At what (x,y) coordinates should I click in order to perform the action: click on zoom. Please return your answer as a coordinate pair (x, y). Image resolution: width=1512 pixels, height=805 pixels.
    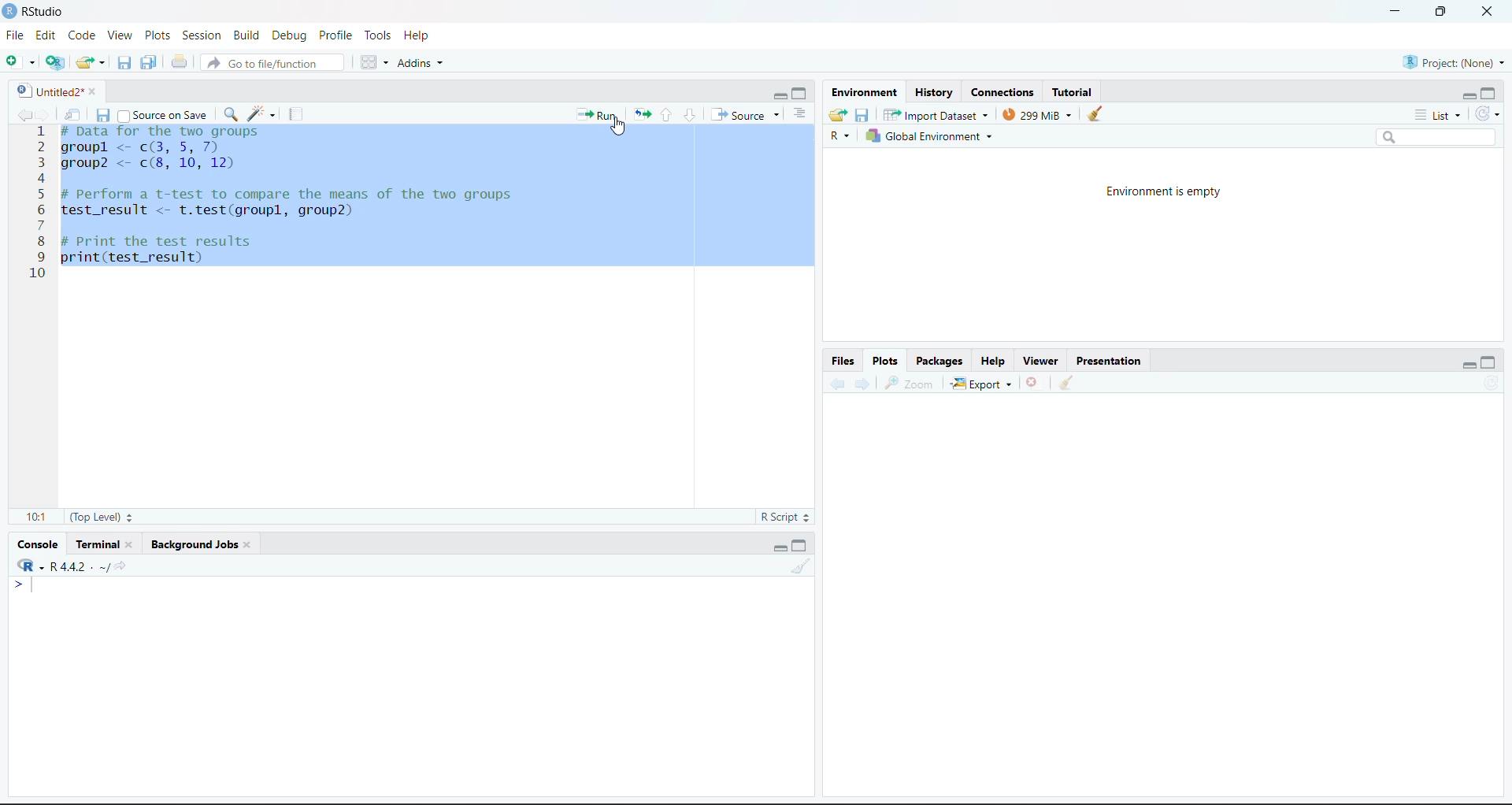
    Looking at the image, I should click on (907, 382).